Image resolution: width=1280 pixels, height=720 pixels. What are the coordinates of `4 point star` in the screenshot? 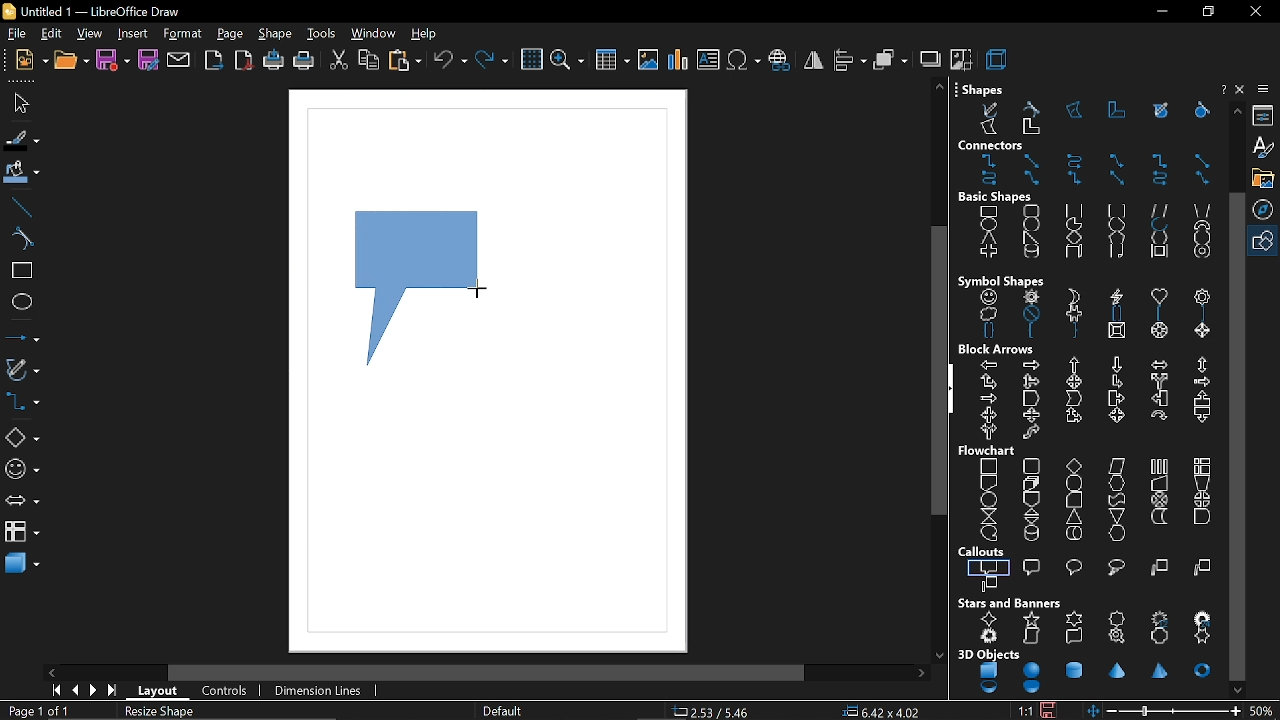 It's located at (990, 619).